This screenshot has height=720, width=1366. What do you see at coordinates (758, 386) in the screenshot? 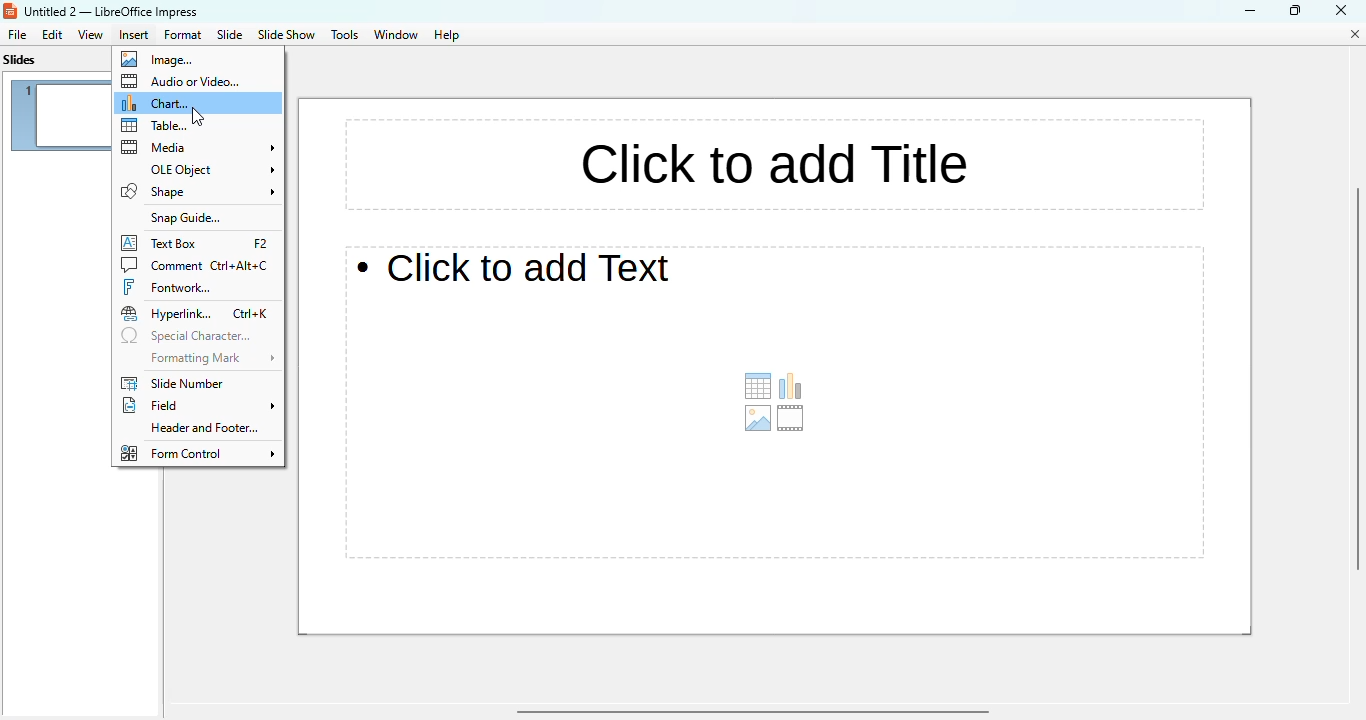
I see `insert table` at bounding box center [758, 386].